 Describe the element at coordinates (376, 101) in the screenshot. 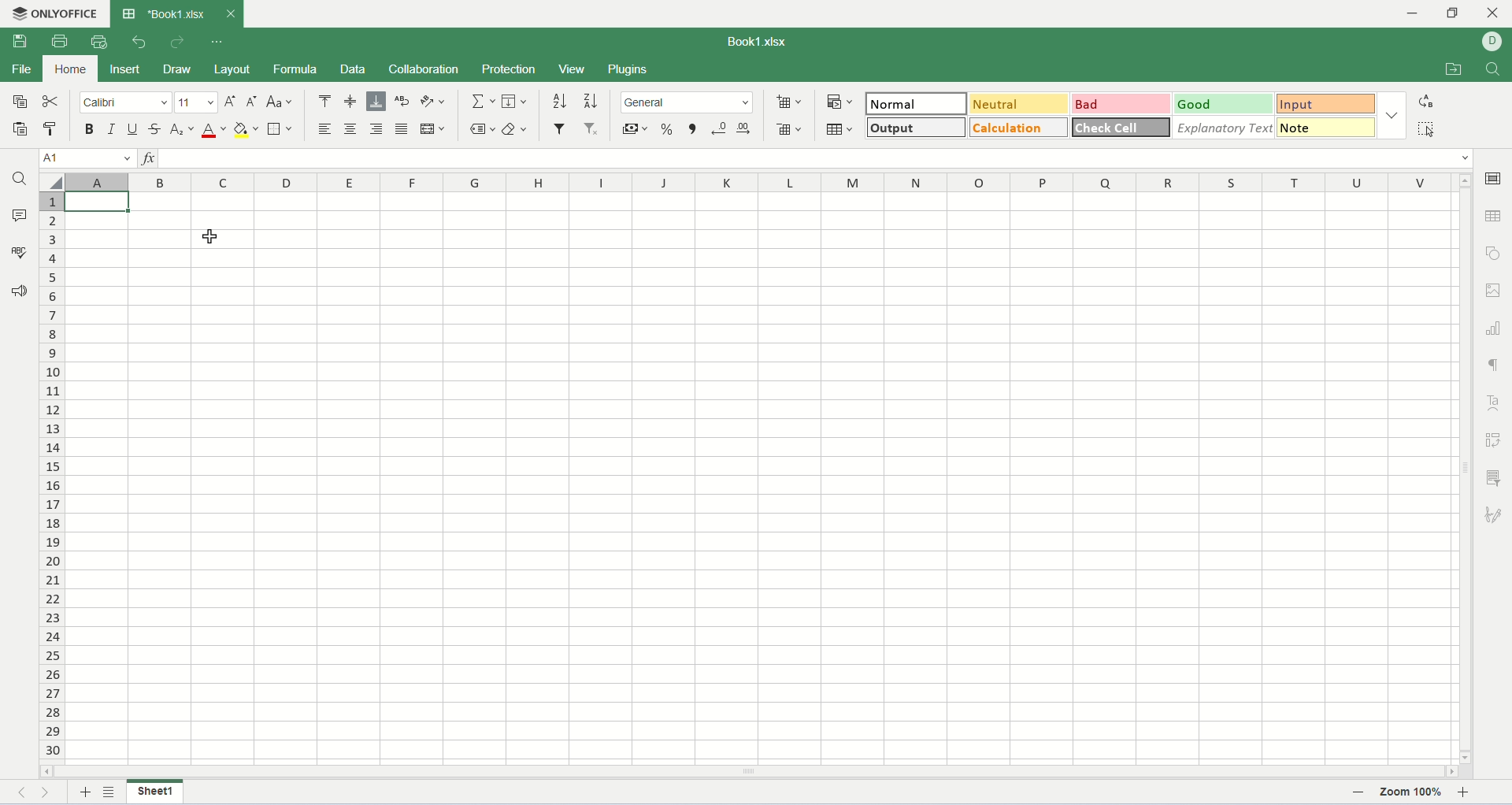

I see `align bottom` at that location.